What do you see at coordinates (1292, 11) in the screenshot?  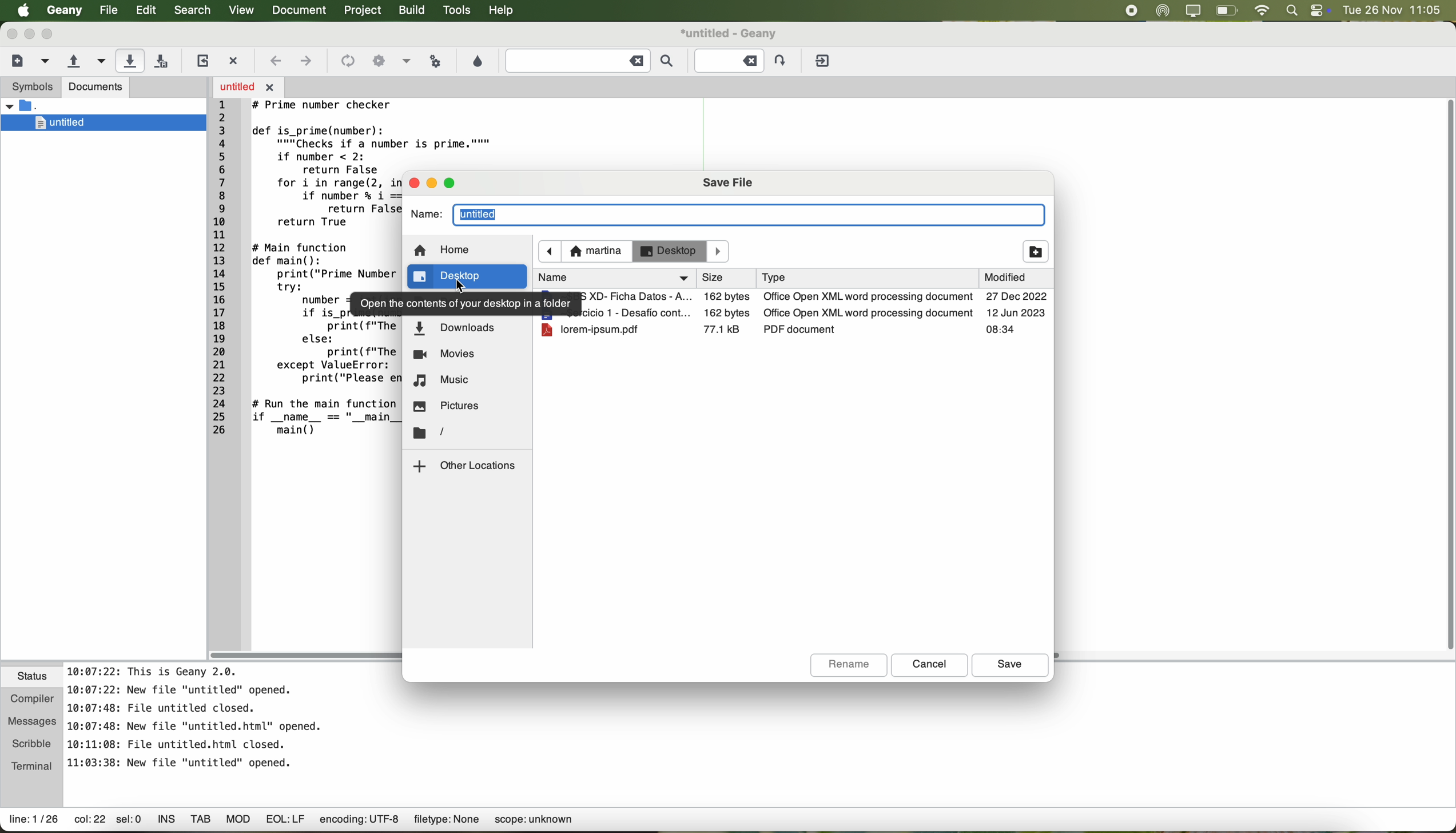 I see `spotlight search` at bounding box center [1292, 11].